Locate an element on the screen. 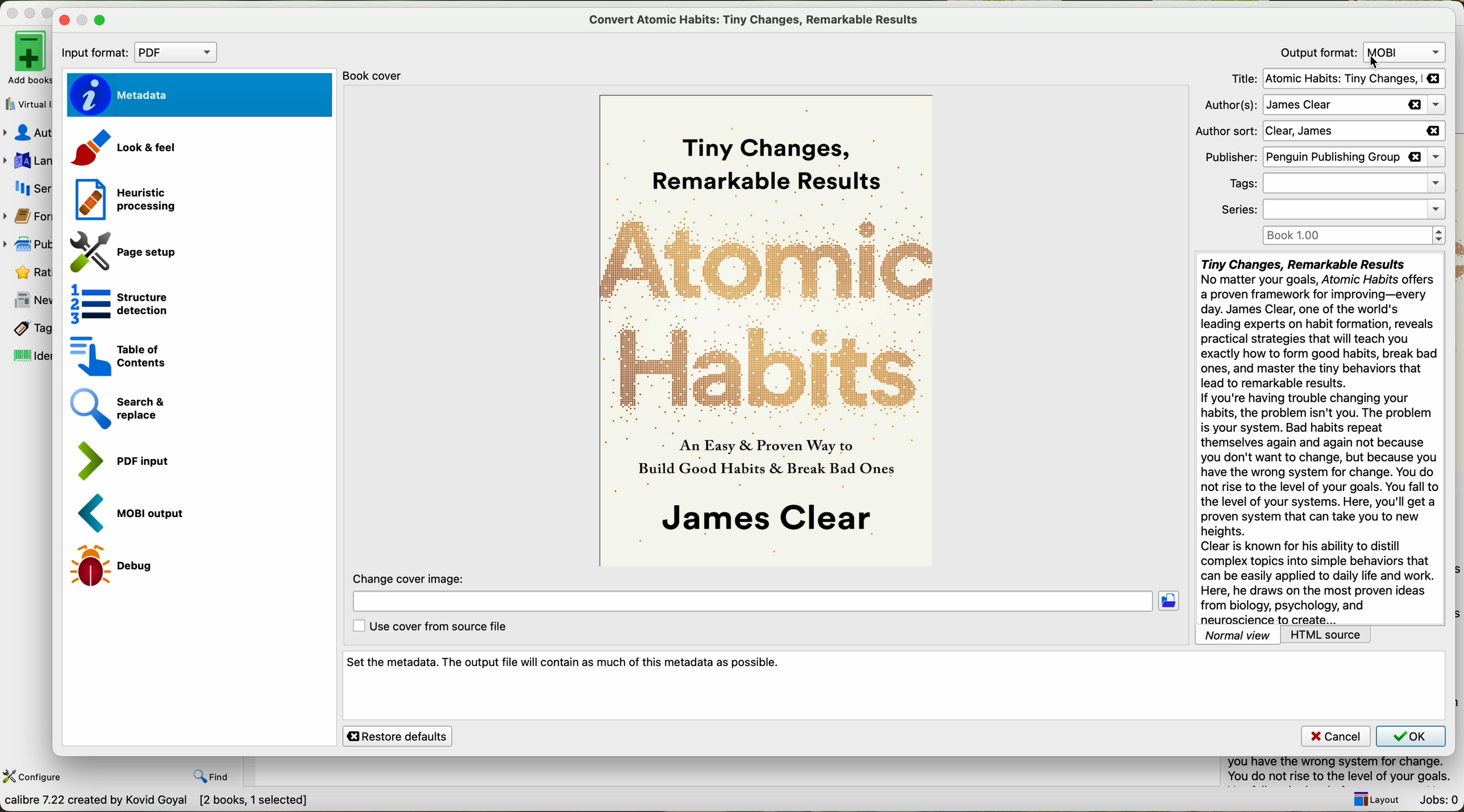 This screenshot has width=1464, height=812. series is located at coordinates (1331, 209).